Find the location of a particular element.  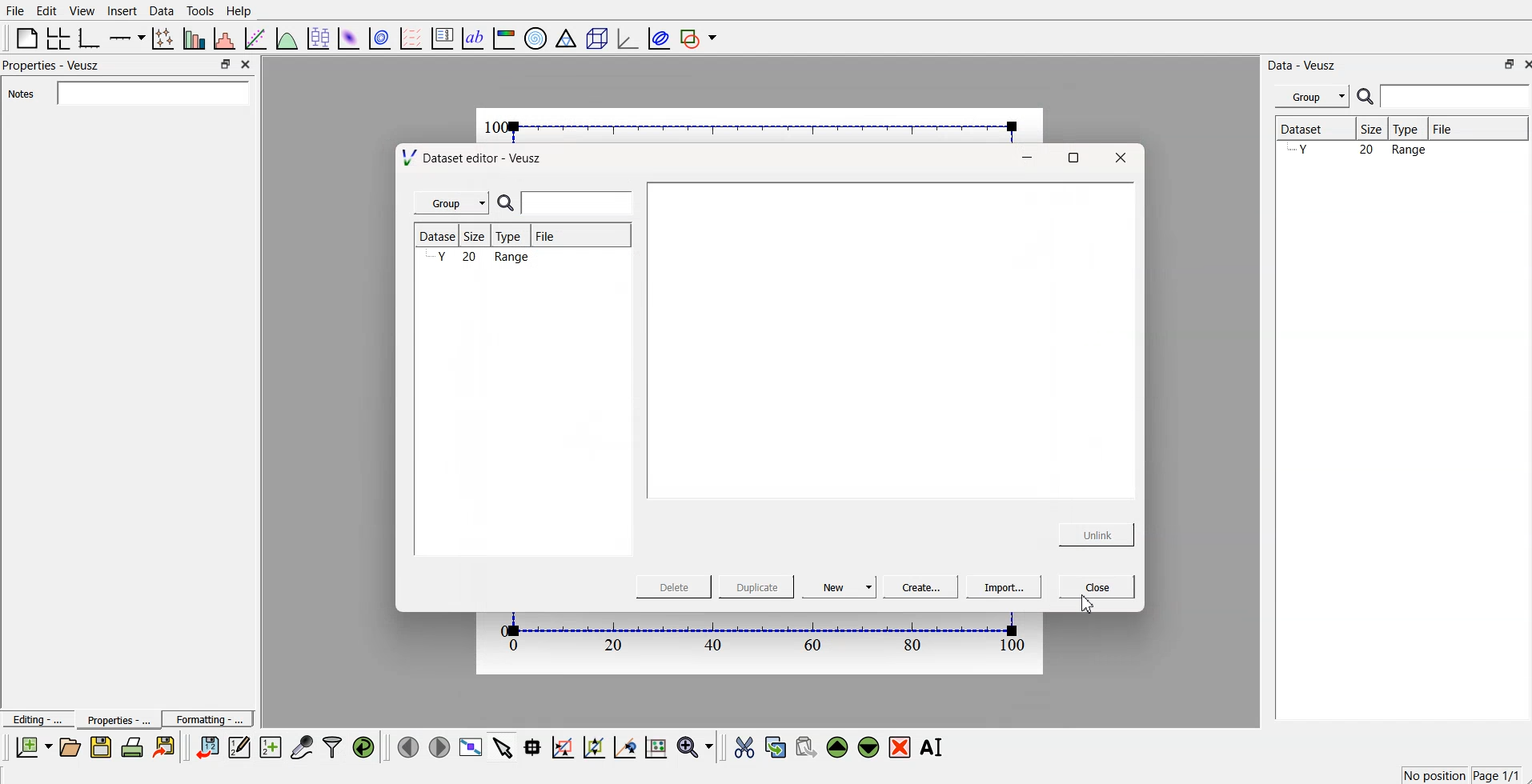

Minimize is located at coordinates (1022, 158).